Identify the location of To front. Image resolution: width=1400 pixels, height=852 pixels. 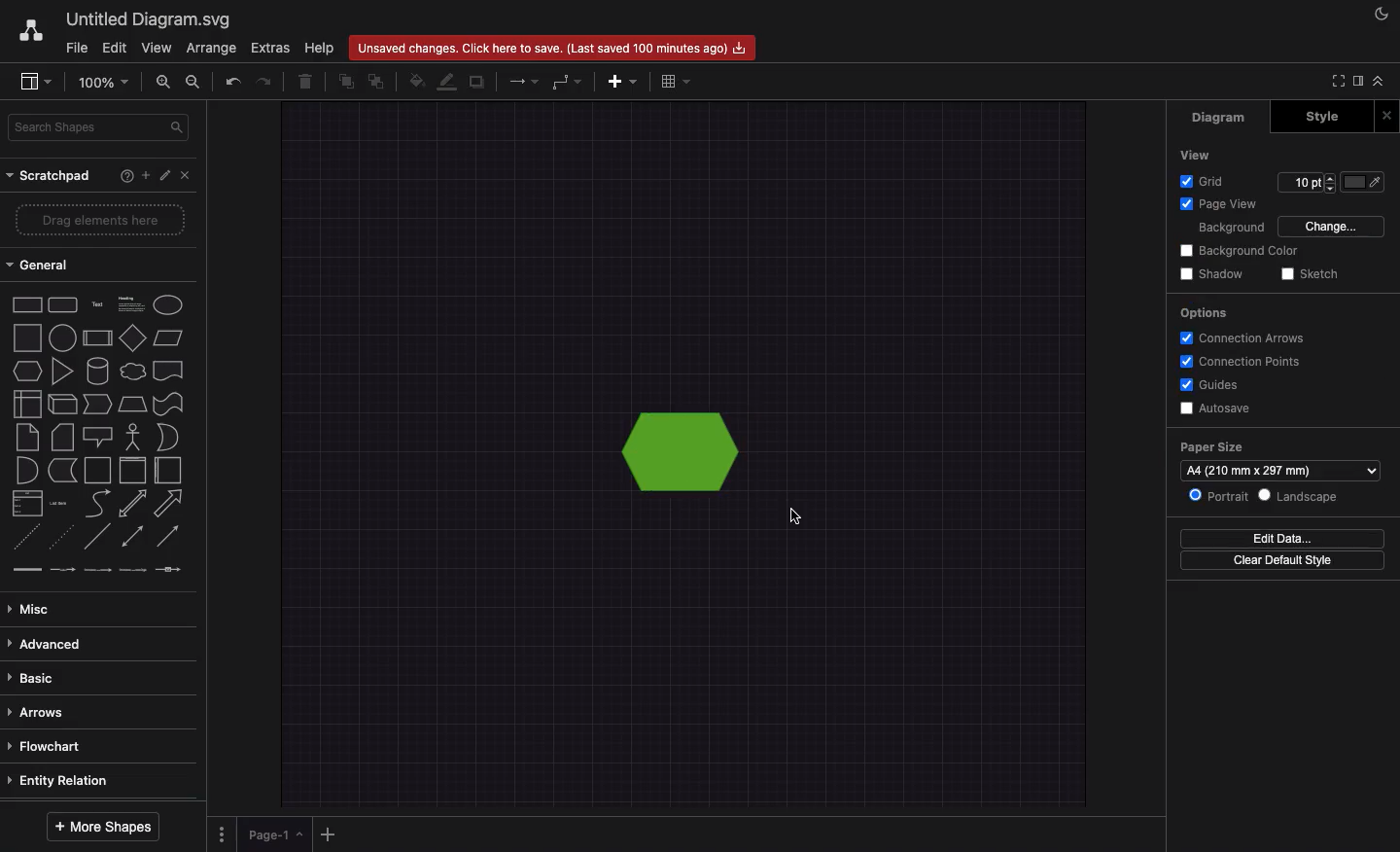
(346, 83).